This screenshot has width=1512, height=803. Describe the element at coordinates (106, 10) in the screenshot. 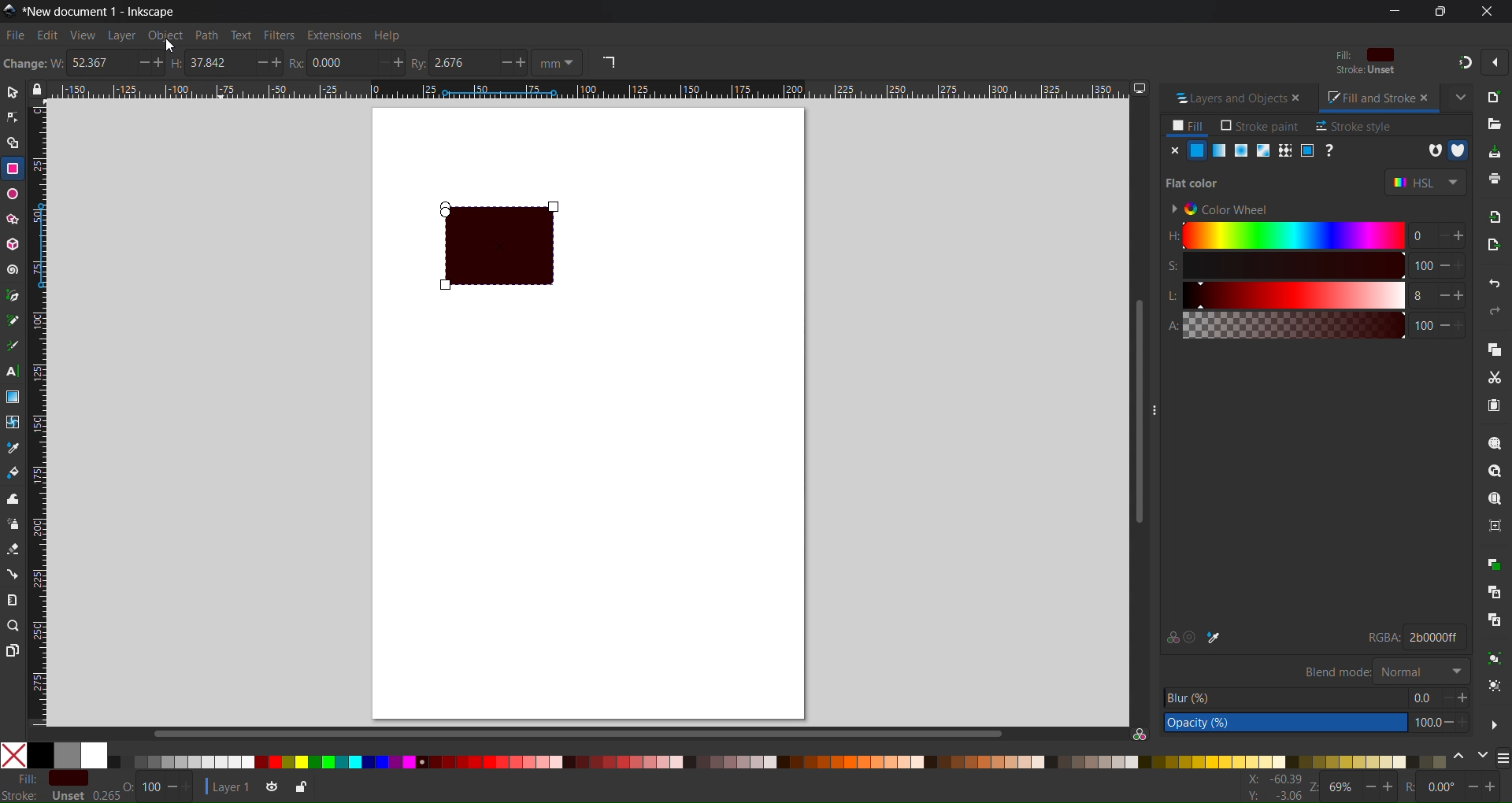

I see ` New document 1 - Inkscape` at that location.